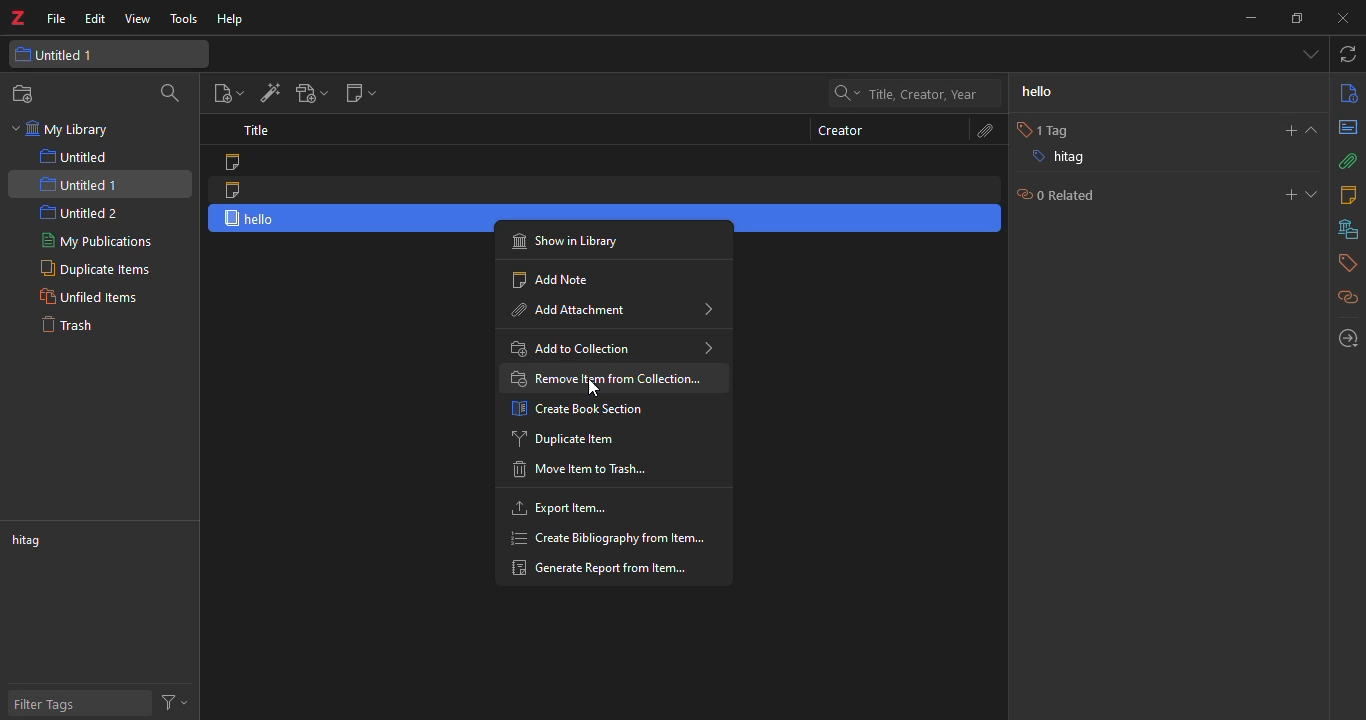  I want to click on new item, so click(227, 93).